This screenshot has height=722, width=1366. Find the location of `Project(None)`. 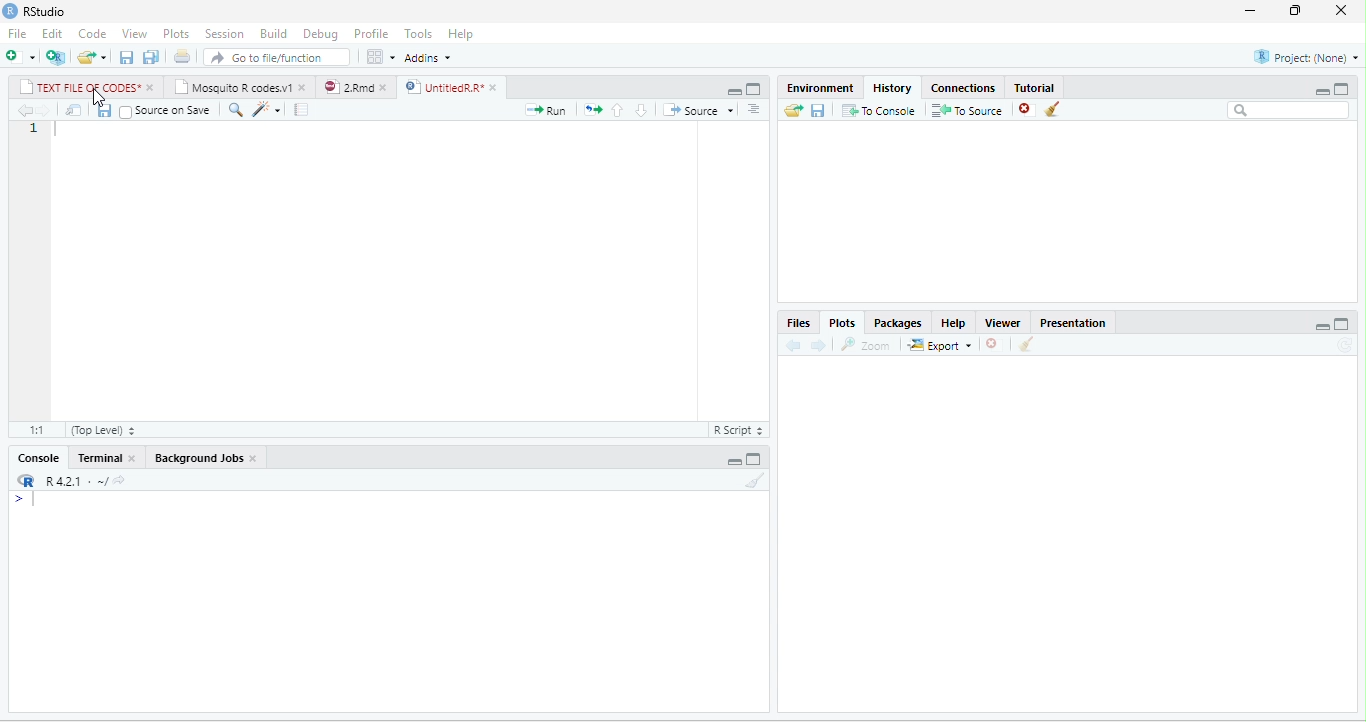

Project(None) is located at coordinates (1306, 57).